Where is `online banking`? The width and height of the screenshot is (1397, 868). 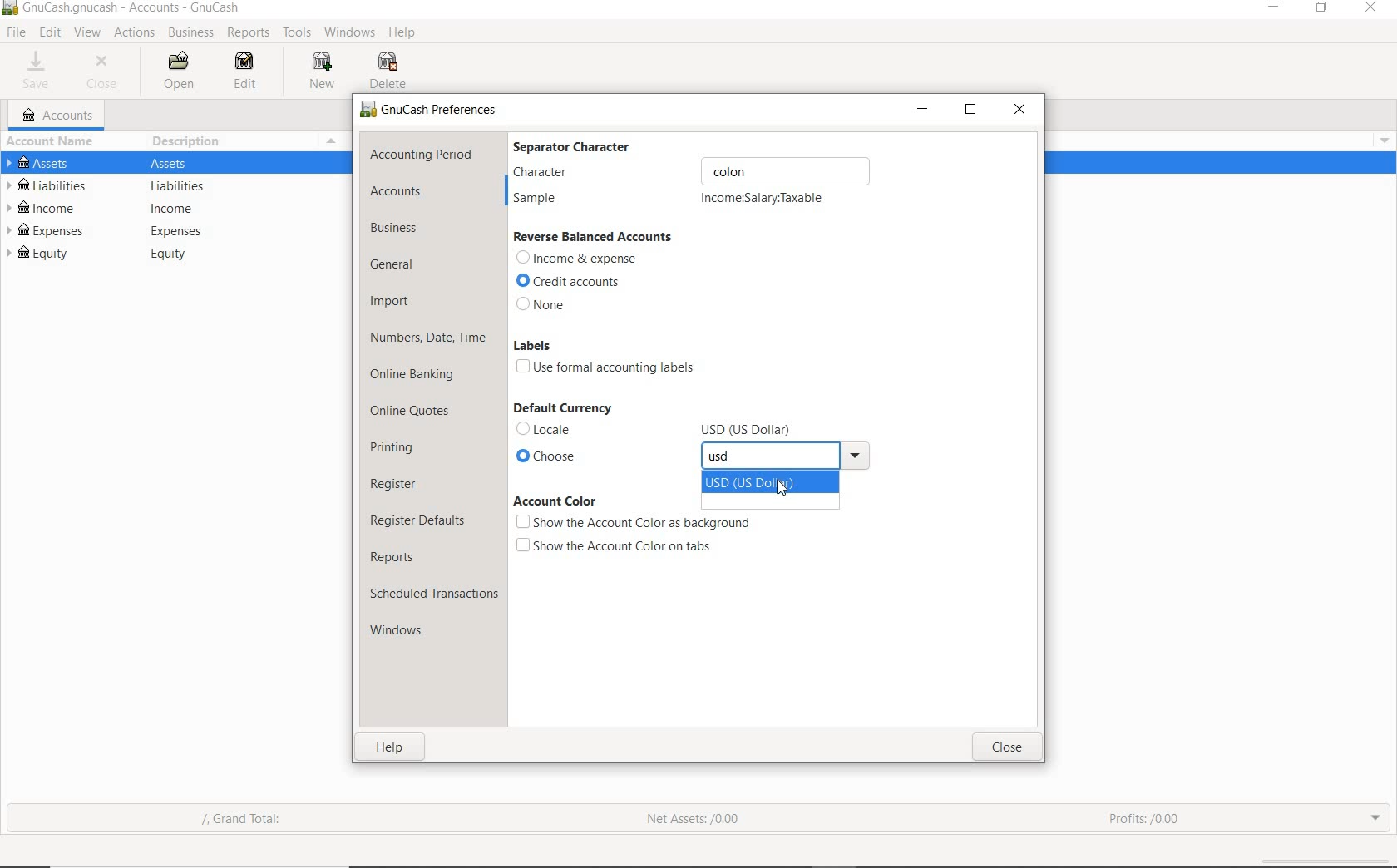
online banking is located at coordinates (416, 377).